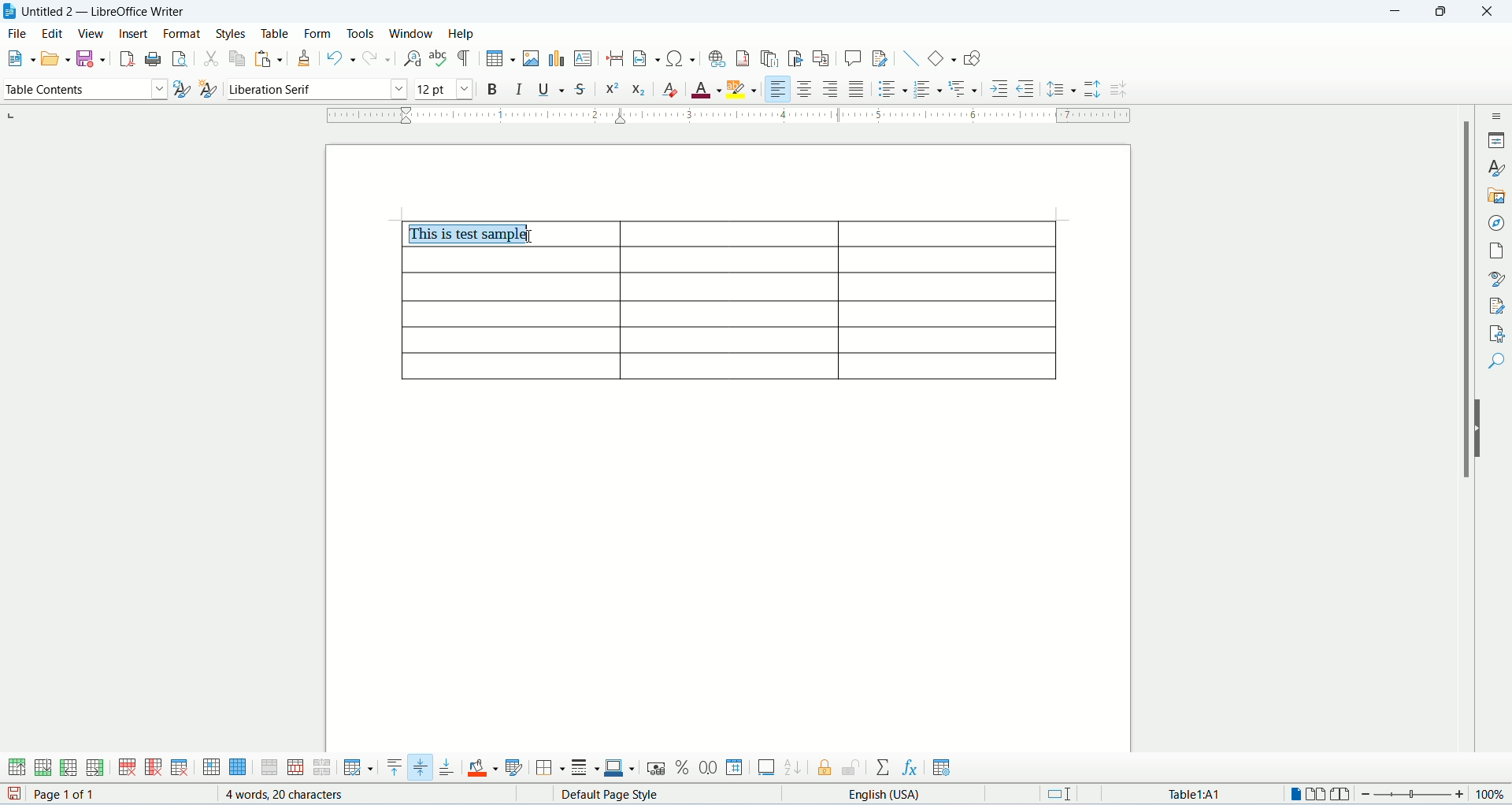 The width and height of the screenshot is (1512, 805). Describe the element at coordinates (439, 57) in the screenshot. I see `spell check` at that location.